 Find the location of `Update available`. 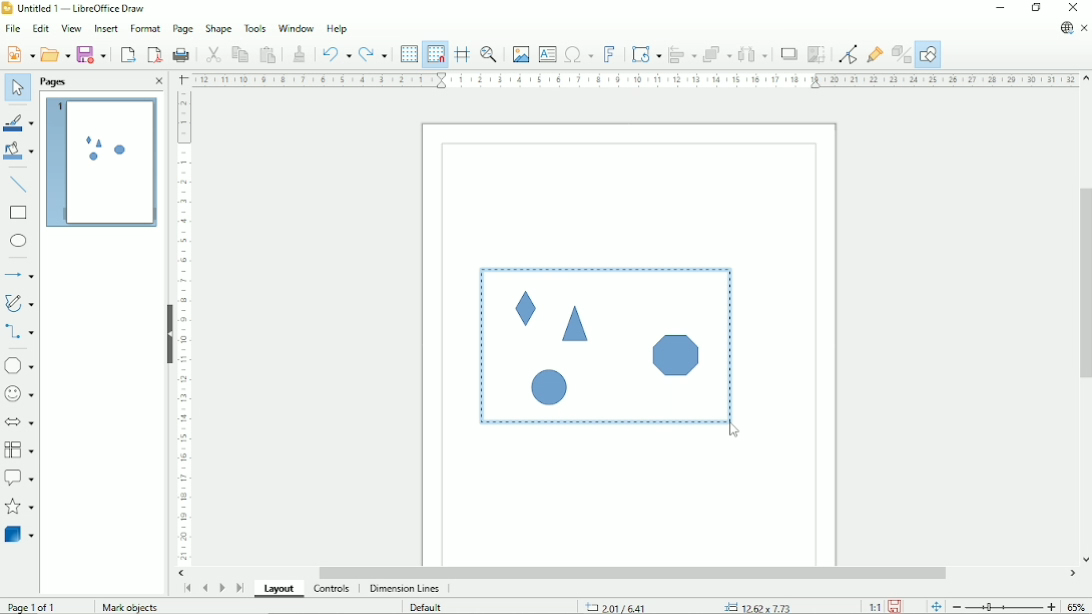

Update available is located at coordinates (1066, 28).